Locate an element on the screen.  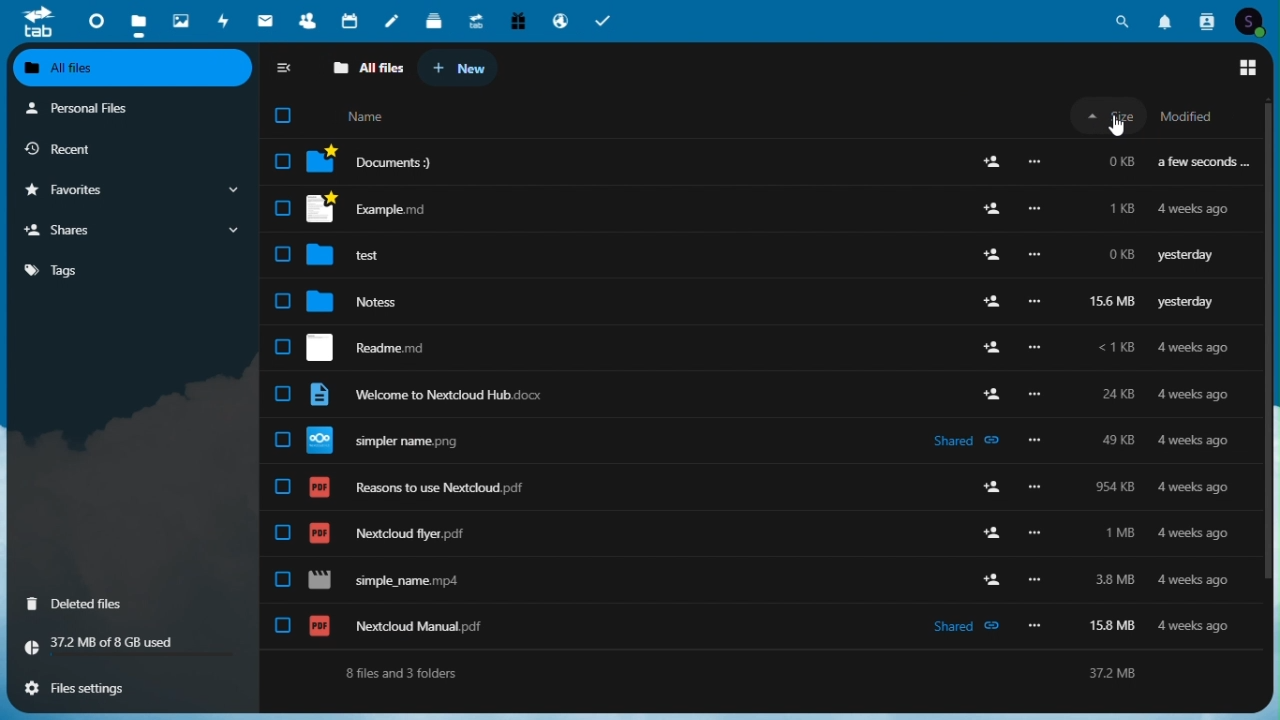
Storage is located at coordinates (124, 649).